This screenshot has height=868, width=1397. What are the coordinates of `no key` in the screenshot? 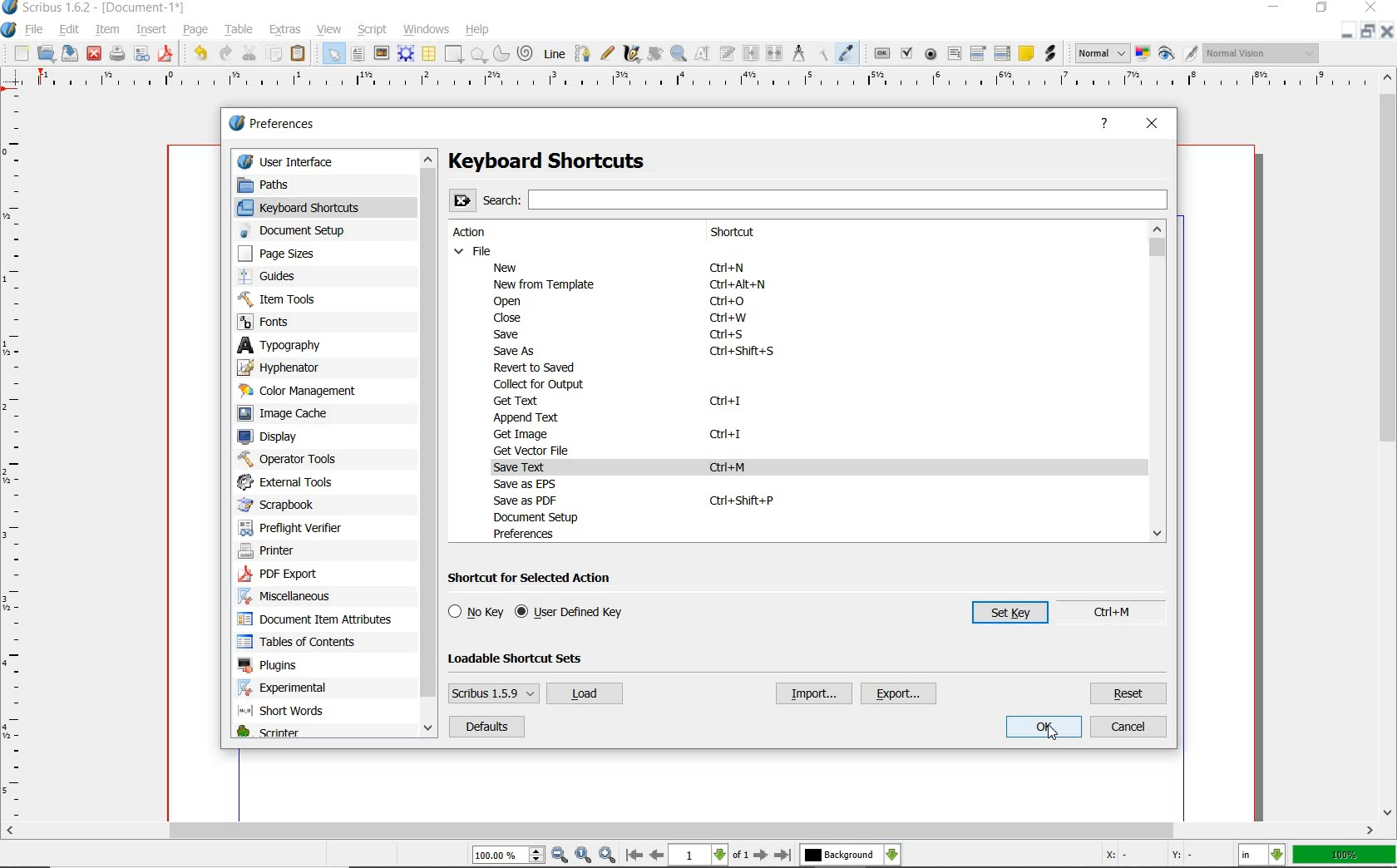 It's located at (476, 612).